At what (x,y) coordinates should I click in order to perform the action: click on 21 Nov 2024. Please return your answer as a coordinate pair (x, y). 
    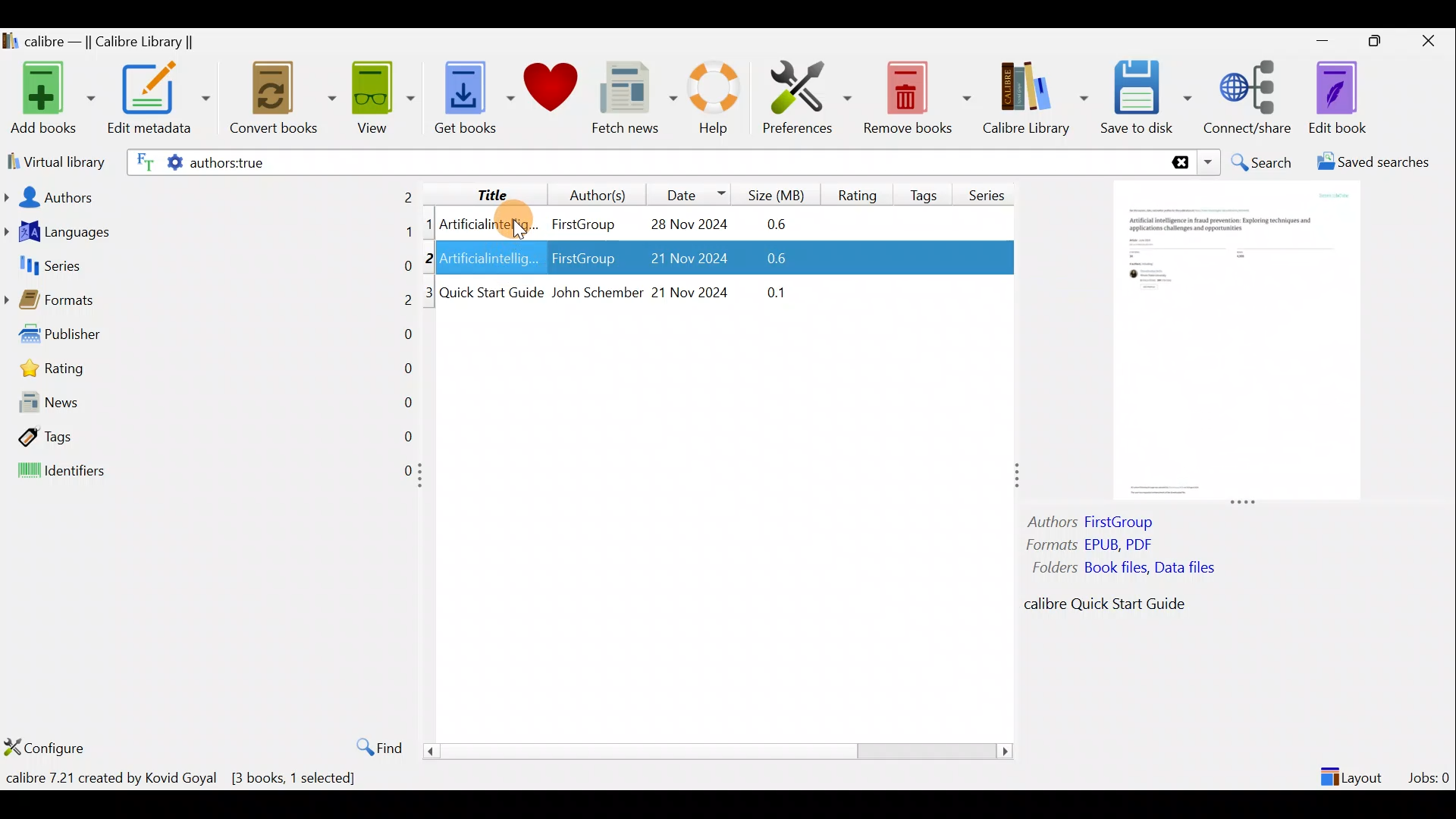
    Looking at the image, I should click on (678, 260).